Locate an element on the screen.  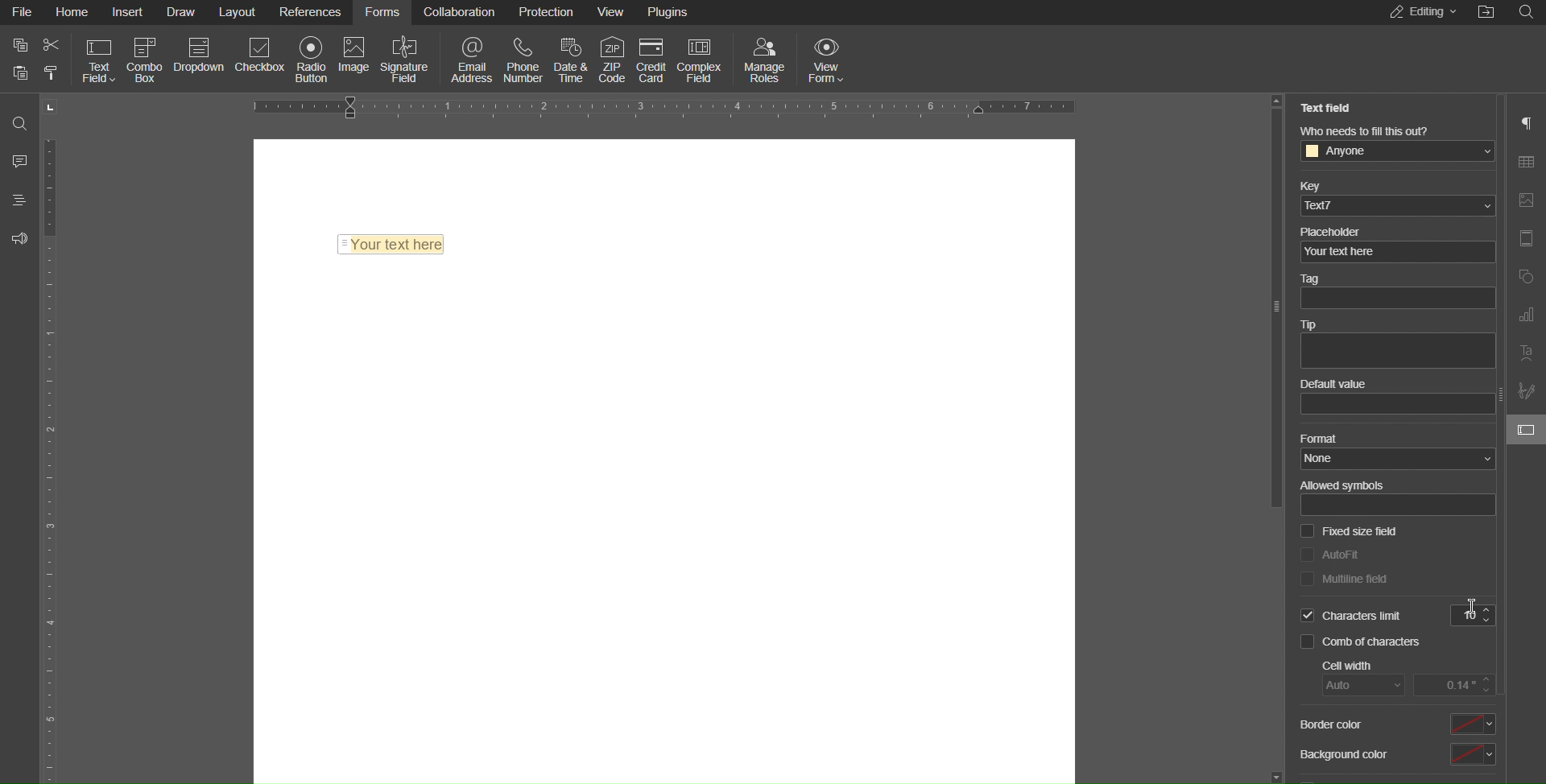
Cell Width is located at coordinates (1411, 678).